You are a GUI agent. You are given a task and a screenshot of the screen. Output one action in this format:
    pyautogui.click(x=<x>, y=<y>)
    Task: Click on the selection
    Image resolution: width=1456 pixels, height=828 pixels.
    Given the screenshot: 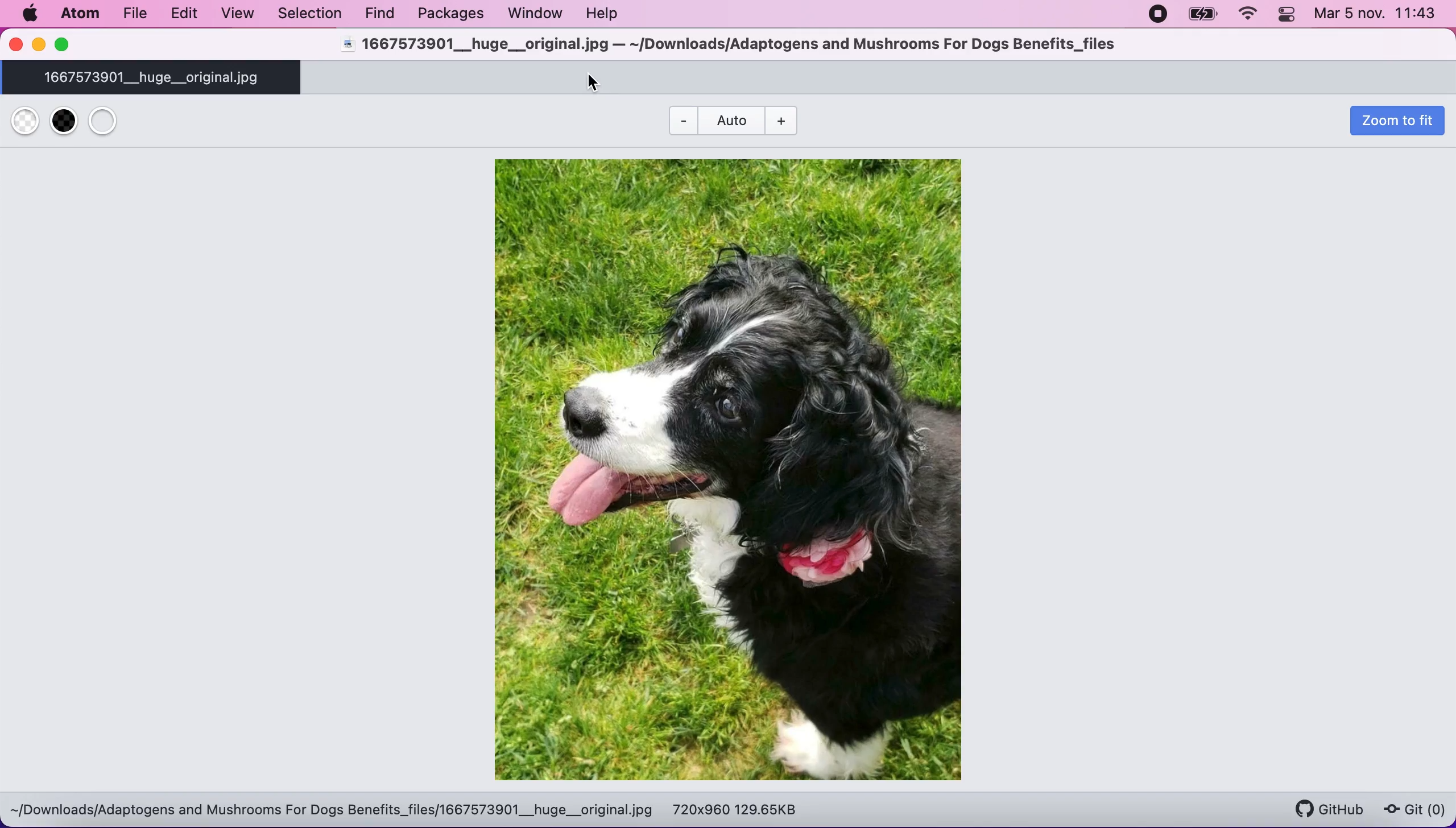 What is the action you would take?
    pyautogui.click(x=308, y=14)
    